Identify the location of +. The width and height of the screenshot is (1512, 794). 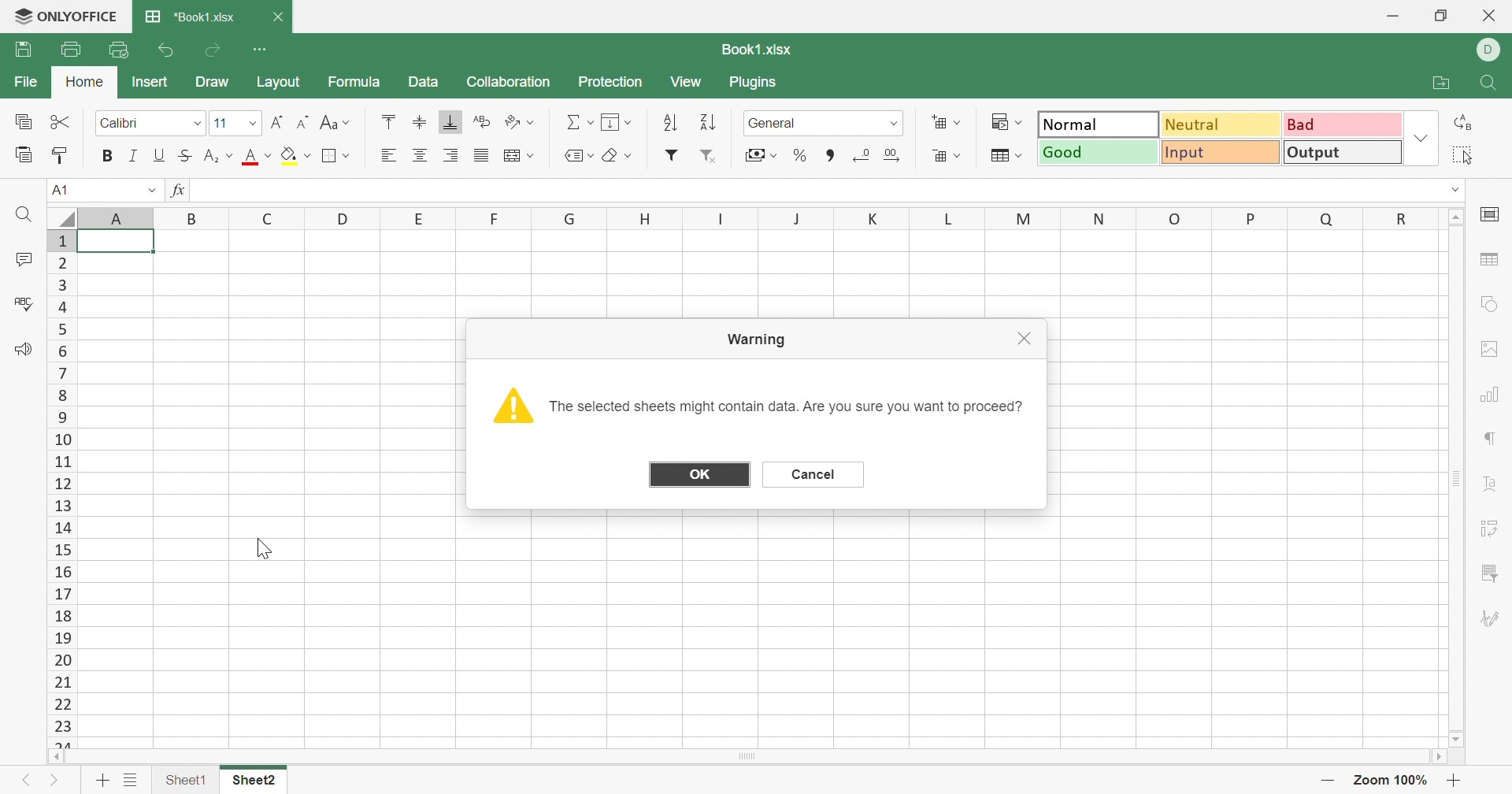
(1456, 780).